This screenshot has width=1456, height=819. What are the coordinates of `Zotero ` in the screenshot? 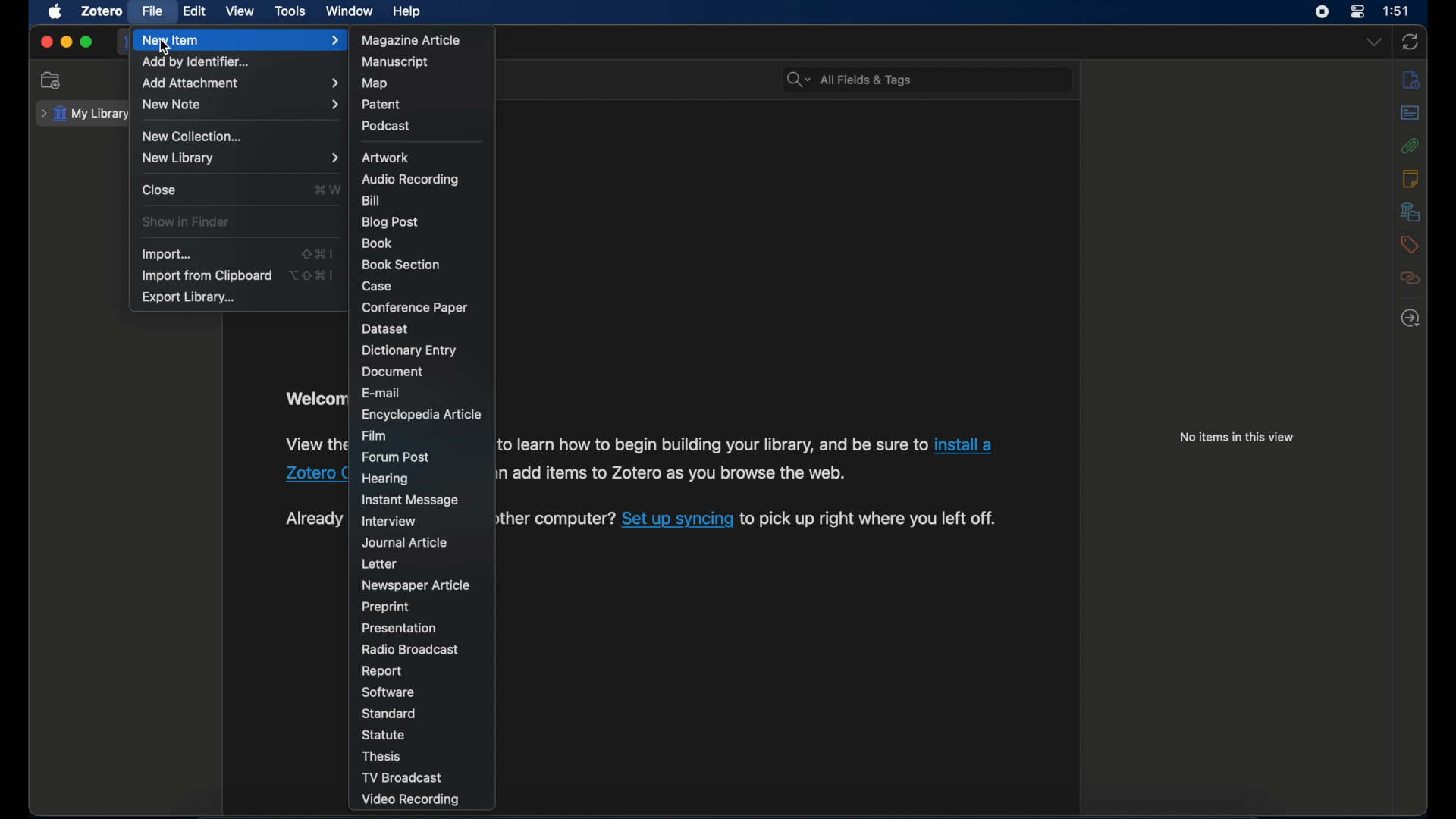 It's located at (312, 472).